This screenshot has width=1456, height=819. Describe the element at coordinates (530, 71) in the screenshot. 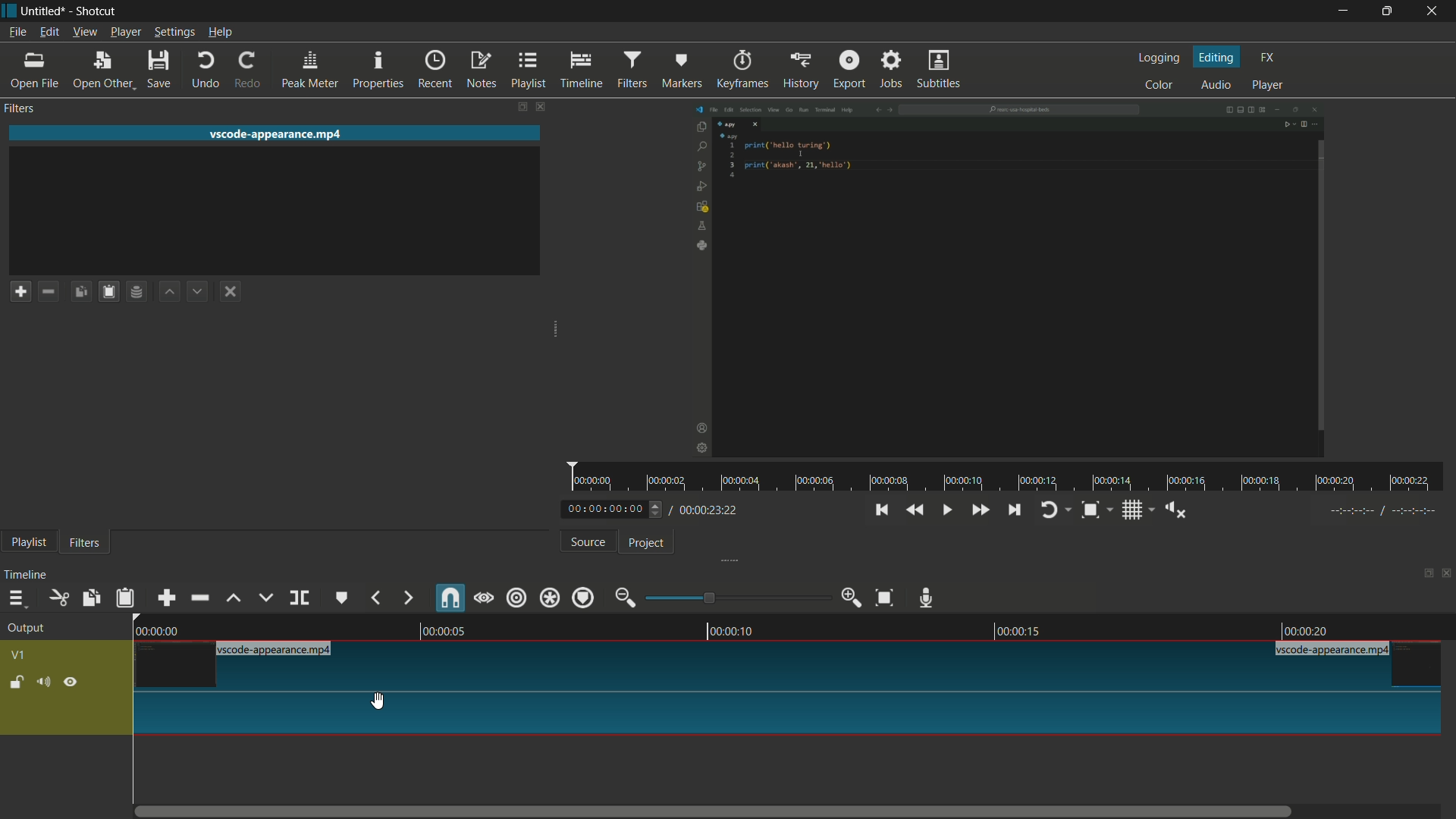

I see `playlist` at that location.